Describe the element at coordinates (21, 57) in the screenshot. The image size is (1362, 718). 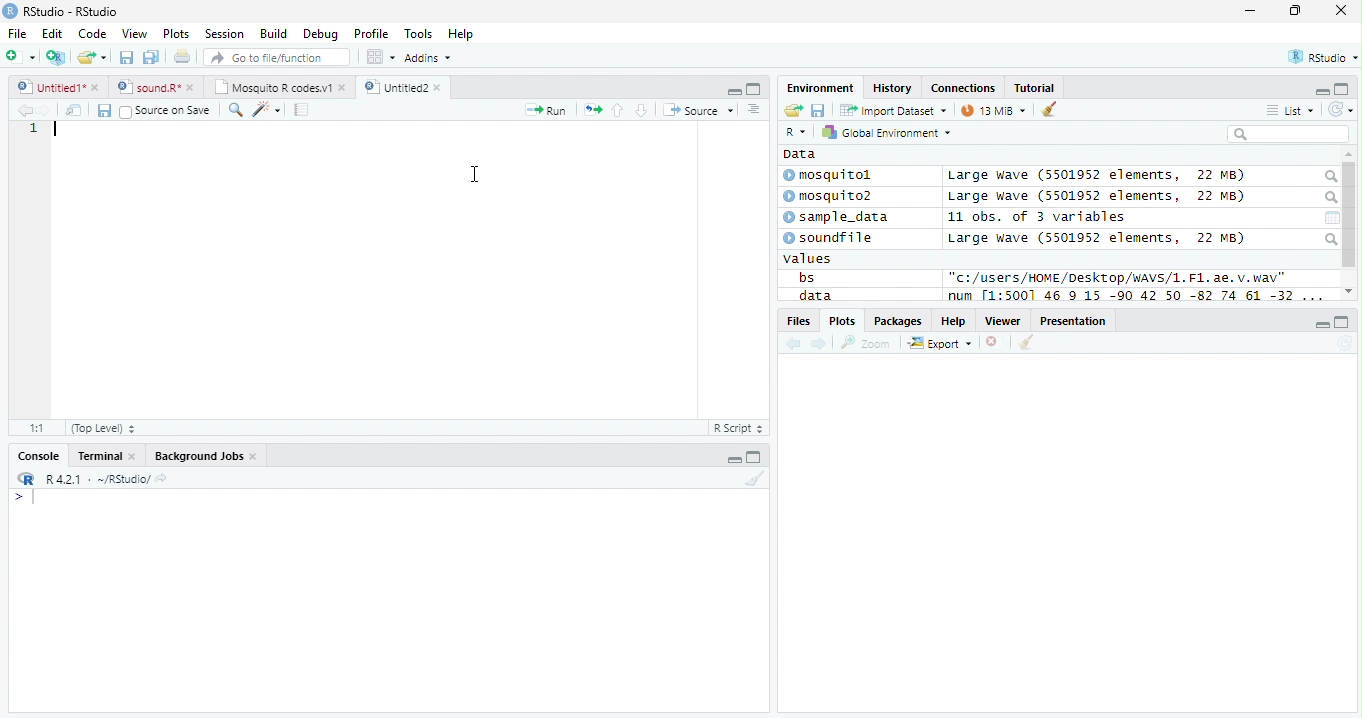
I see `new file` at that location.